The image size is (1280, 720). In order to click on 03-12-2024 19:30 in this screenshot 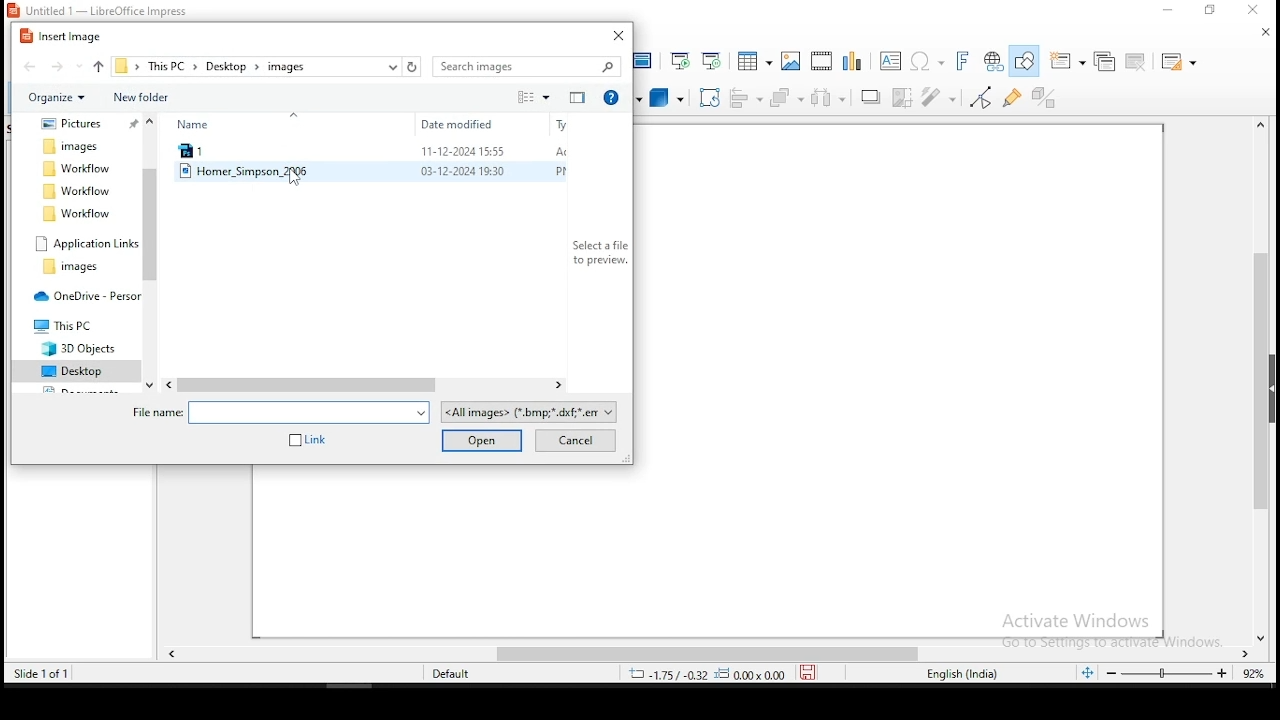, I will do `click(461, 174)`.